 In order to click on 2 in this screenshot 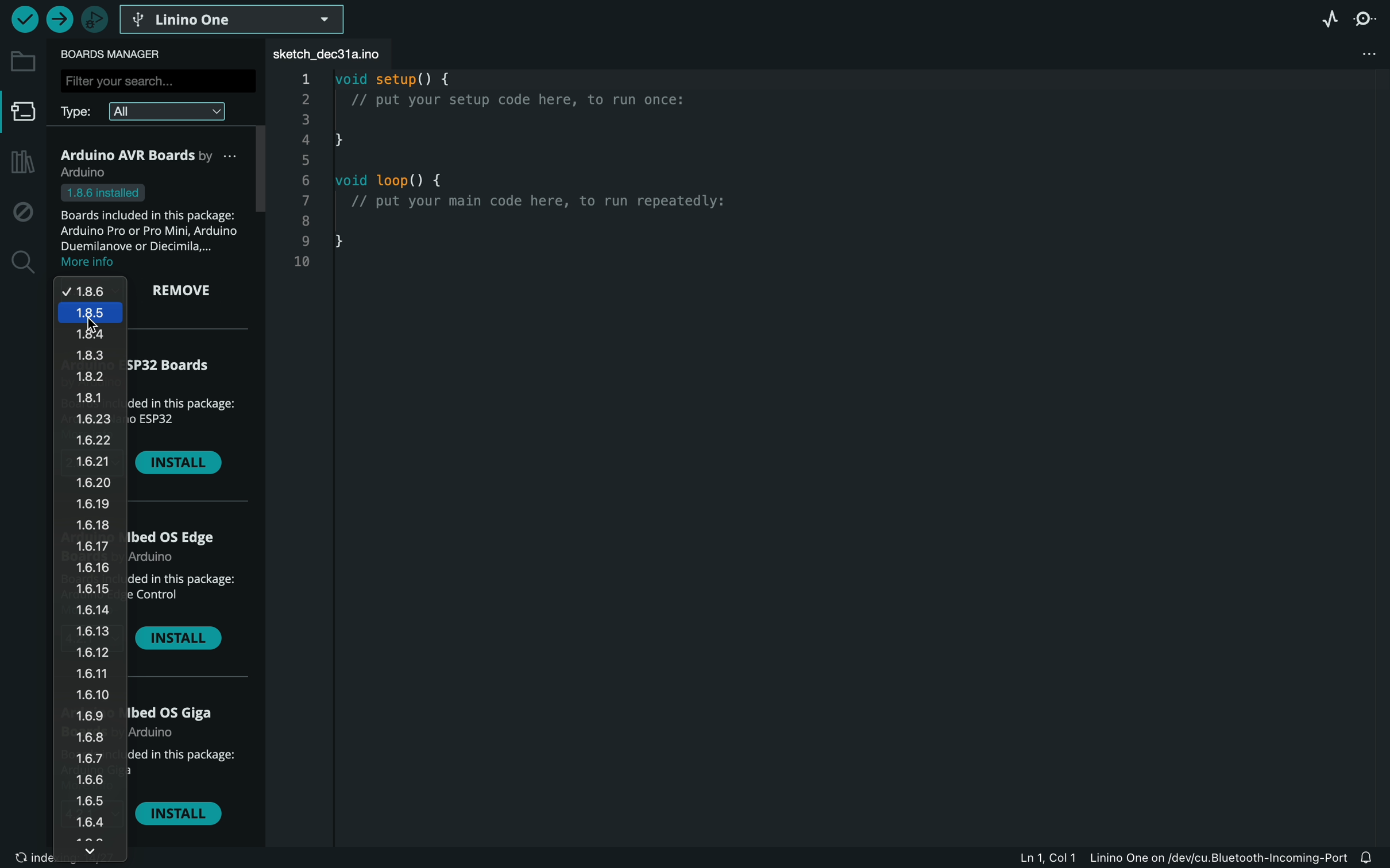, I will do `click(304, 99)`.